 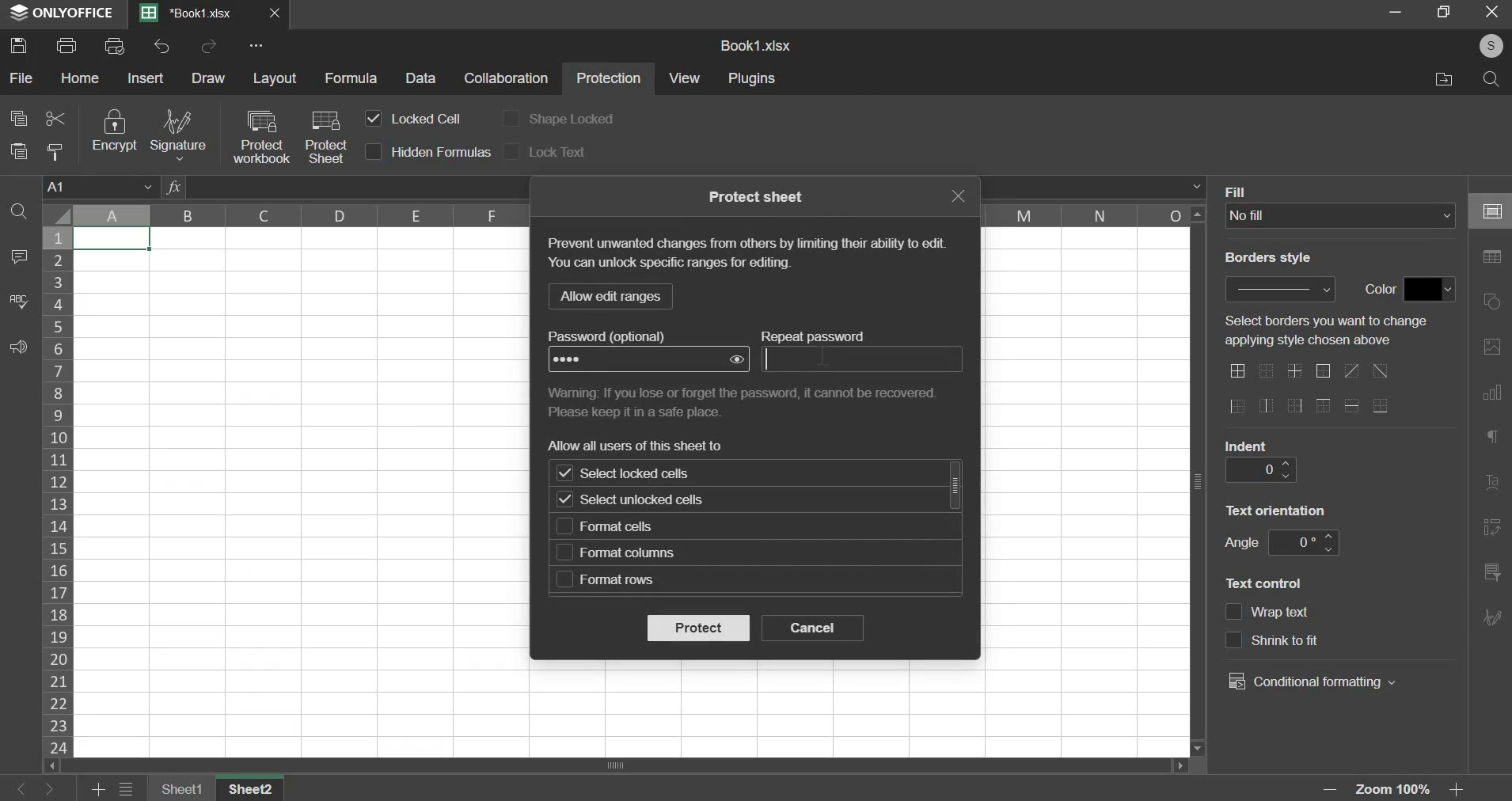 What do you see at coordinates (1311, 640) in the screenshot?
I see `text control` at bounding box center [1311, 640].